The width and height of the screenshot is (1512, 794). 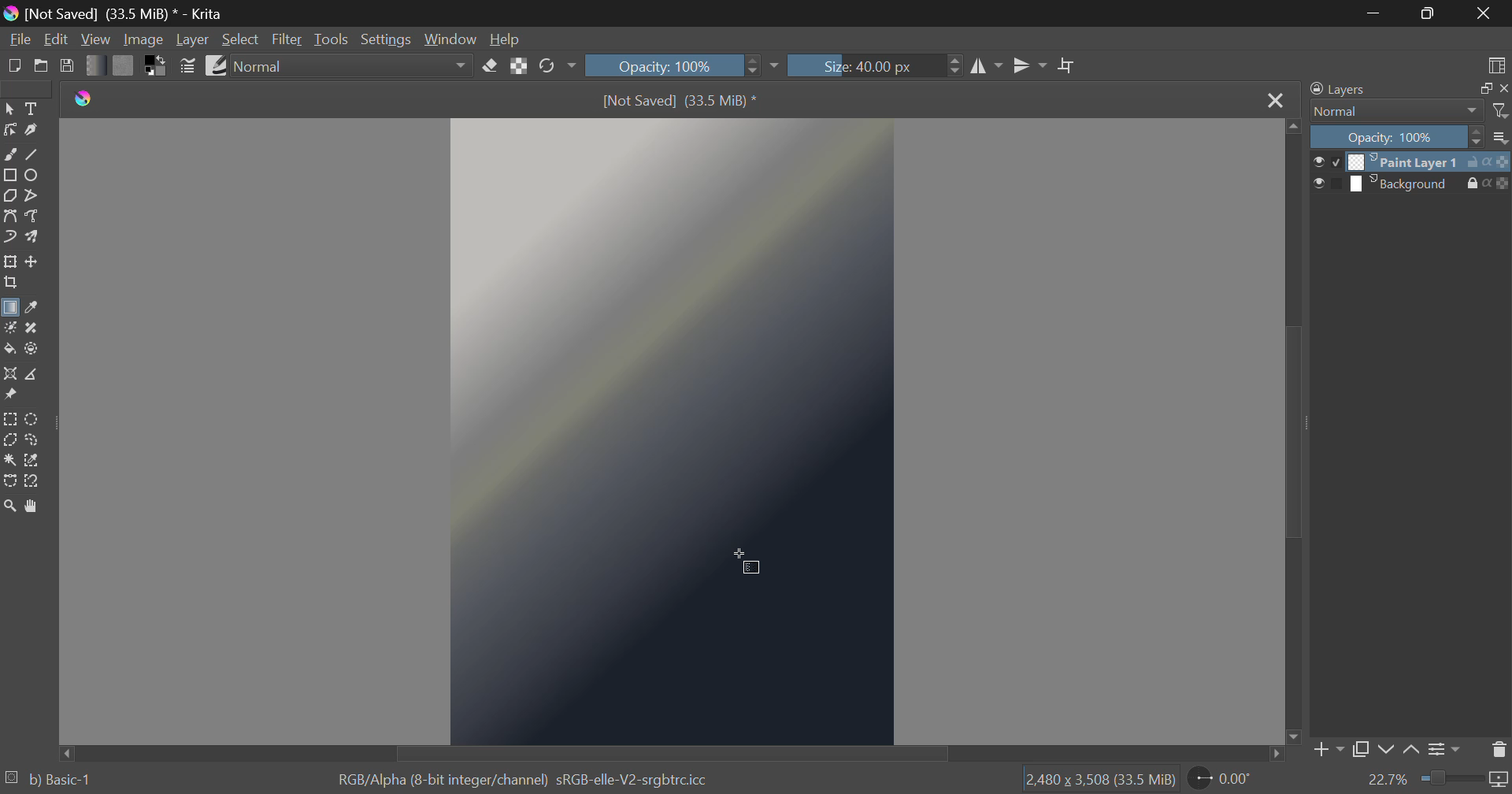 What do you see at coordinates (31, 481) in the screenshot?
I see `Magnetic Selection` at bounding box center [31, 481].